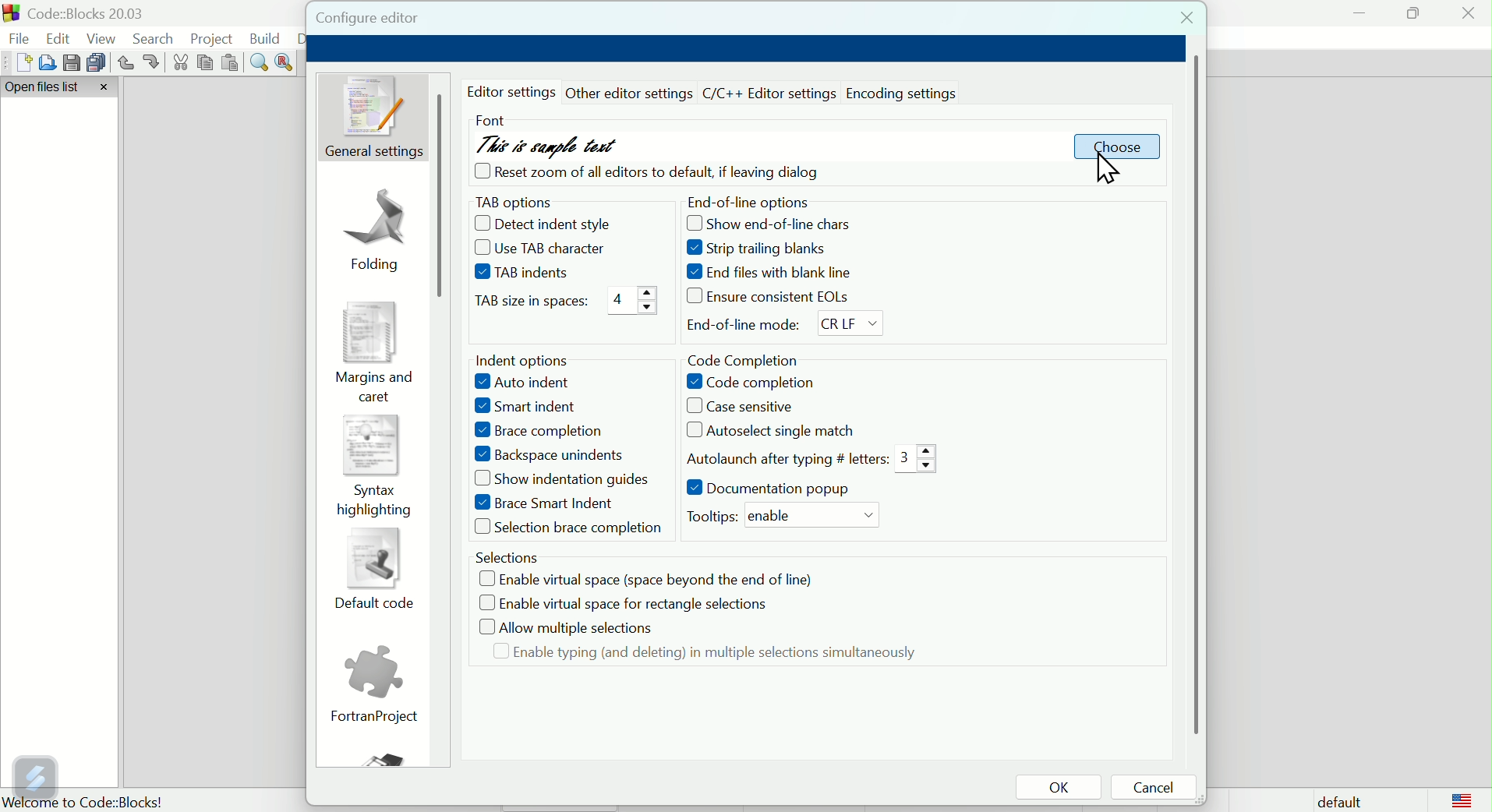 The image size is (1492, 812). Describe the element at coordinates (504, 556) in the screenshot. I see `Selections` at that location.